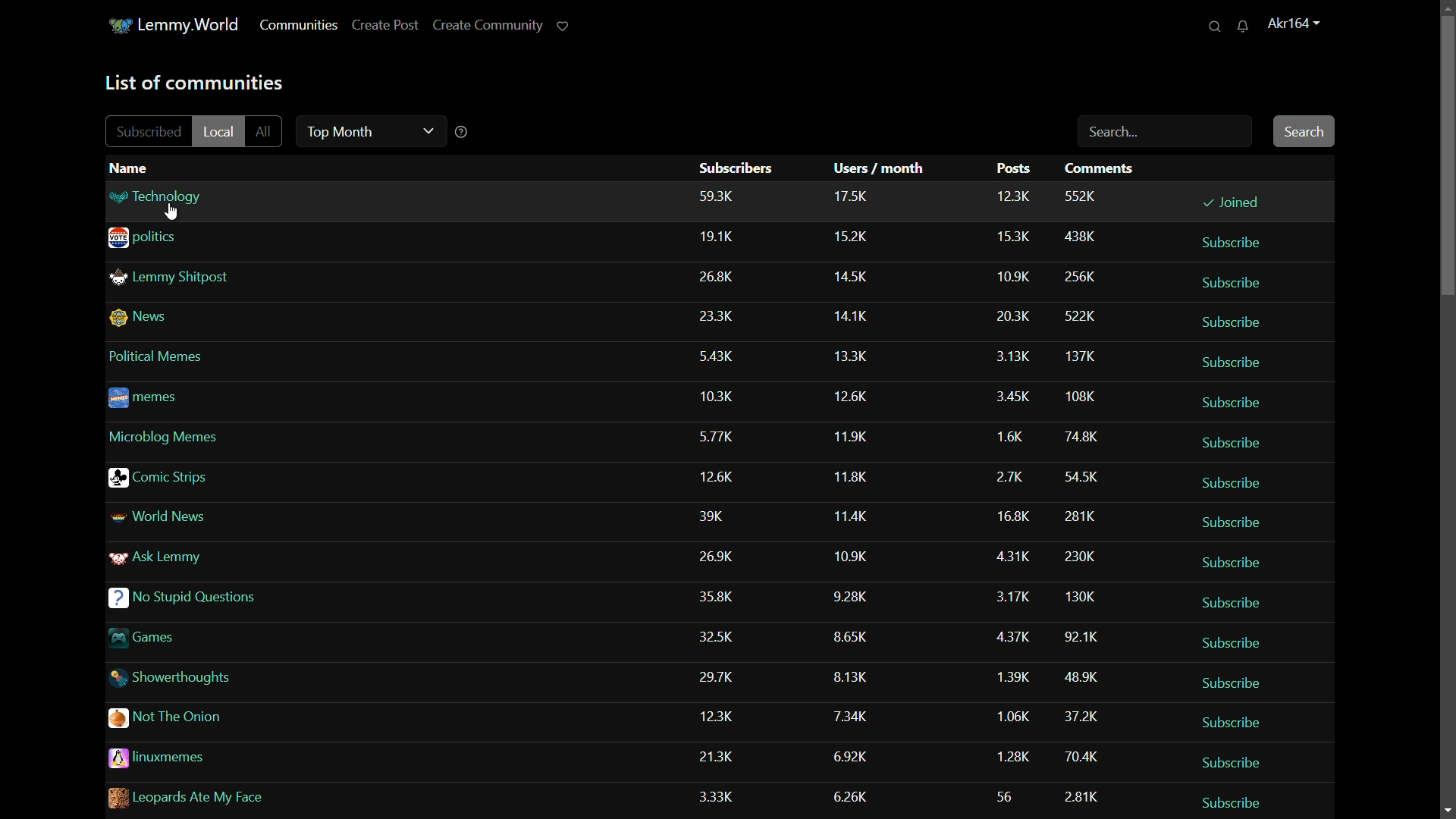  Describe the element at coordinates (172, 637) in the screenshot. I see `communities name` at that location.